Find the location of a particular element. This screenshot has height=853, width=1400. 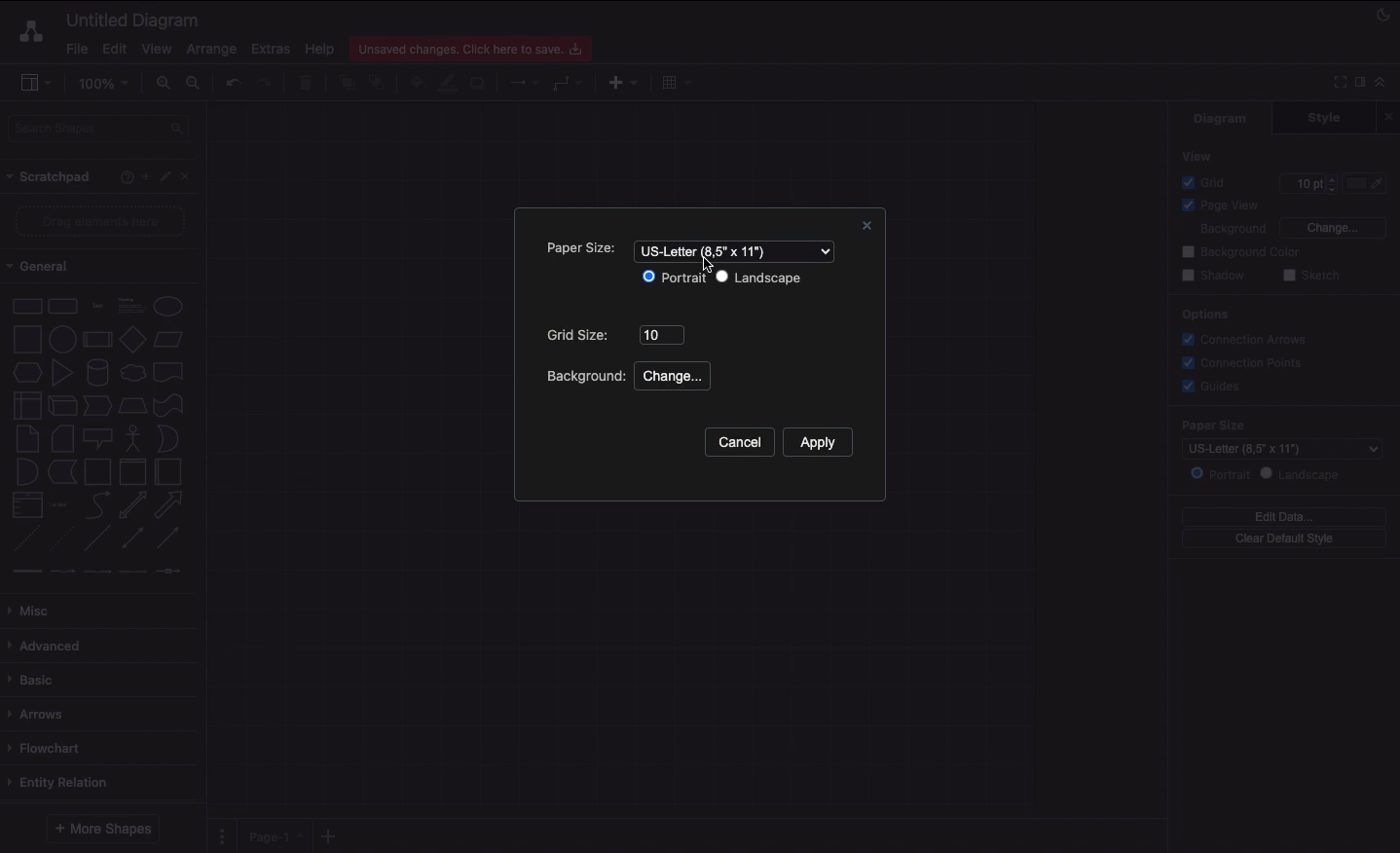

More shapes is located at coordinates (101, 829).